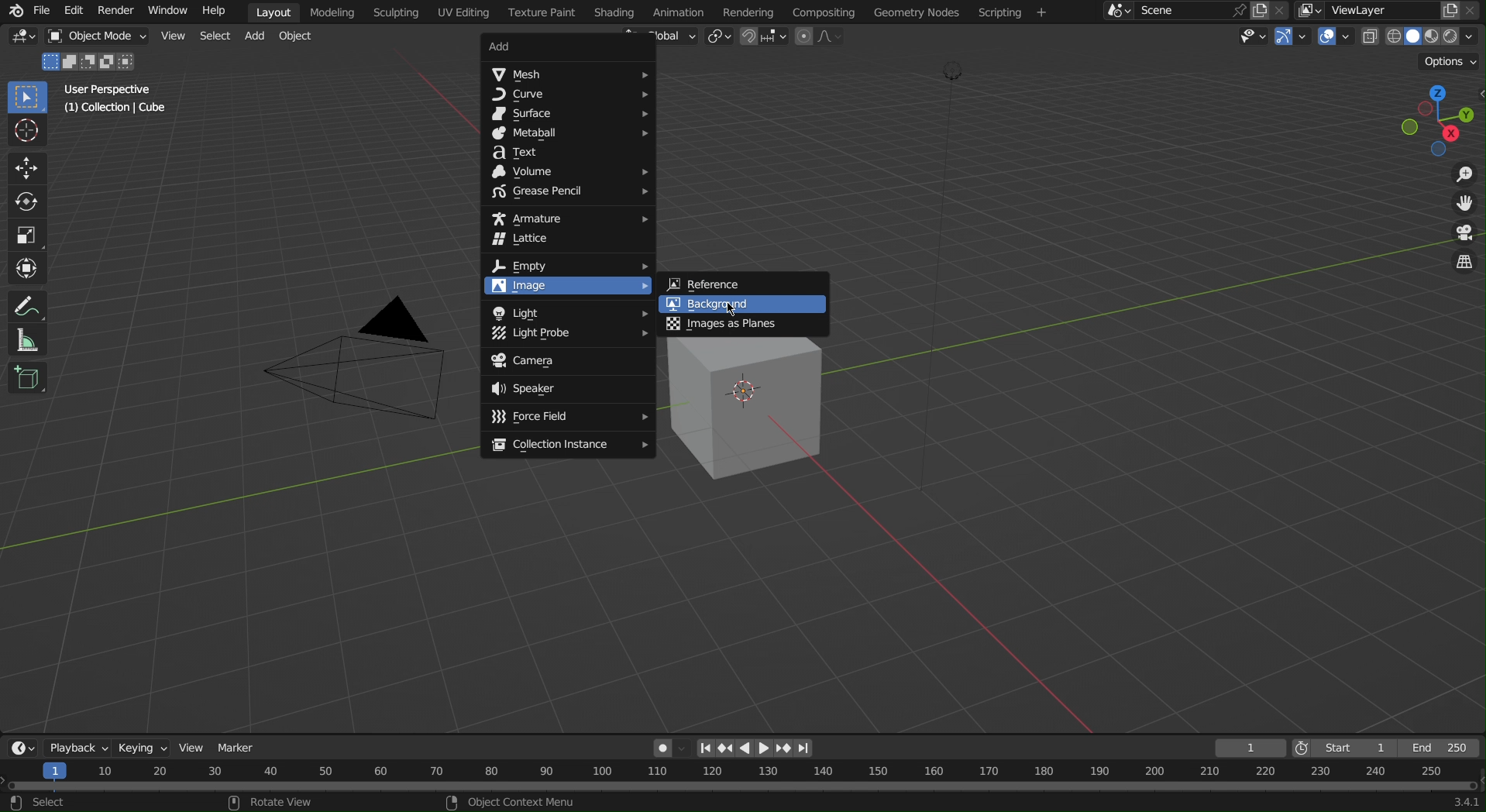  I want to click on Cursor at Background, so click(733, 309).